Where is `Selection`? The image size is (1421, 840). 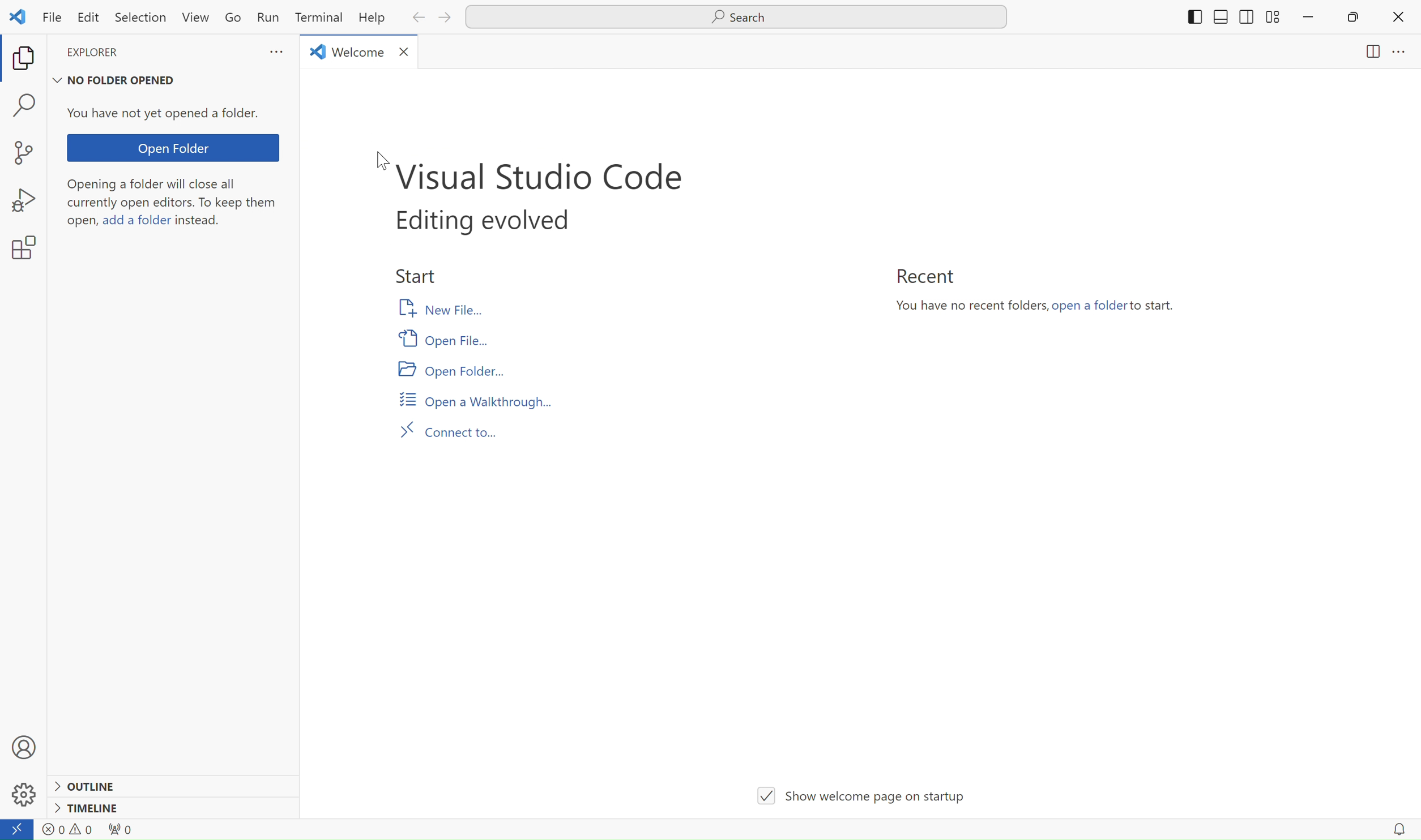
Selection is located at coordinates (143, 19).